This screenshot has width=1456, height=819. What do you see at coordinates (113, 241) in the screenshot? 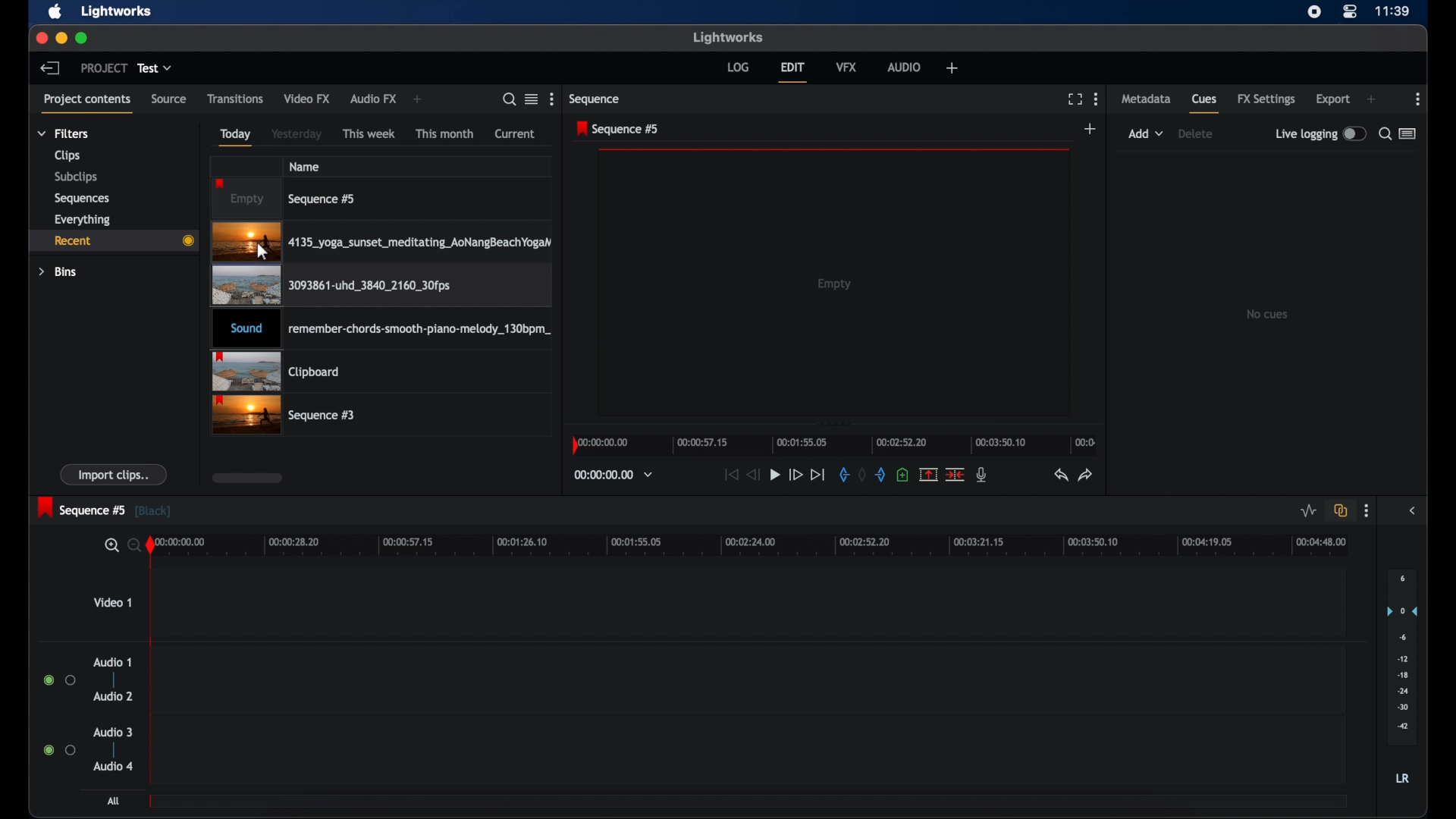
I see `recent` at bounding box center [113, 241].